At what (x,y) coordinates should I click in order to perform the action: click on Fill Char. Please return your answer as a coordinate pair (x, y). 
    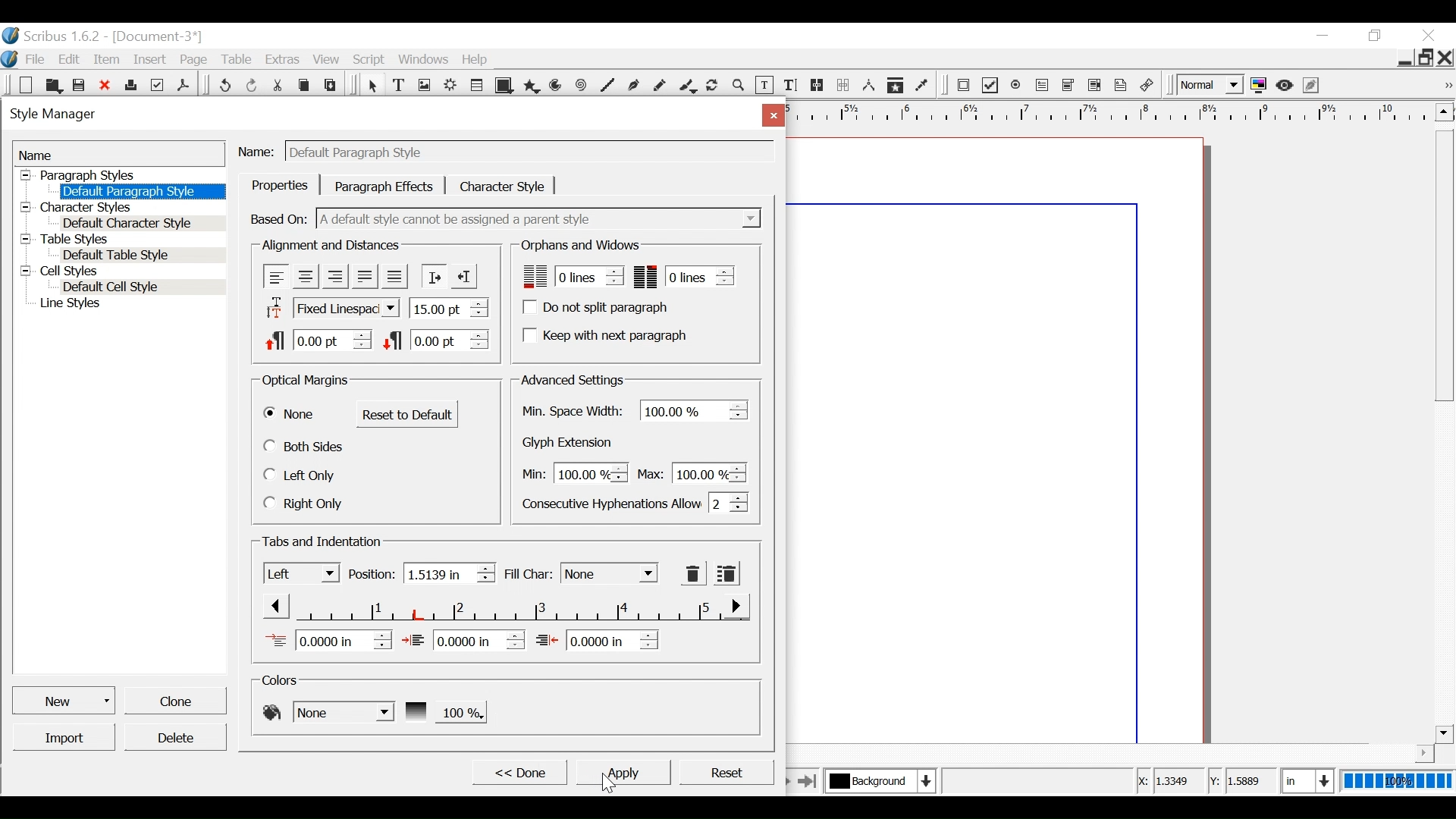
    Looking at the image, I should click on (527, 575).